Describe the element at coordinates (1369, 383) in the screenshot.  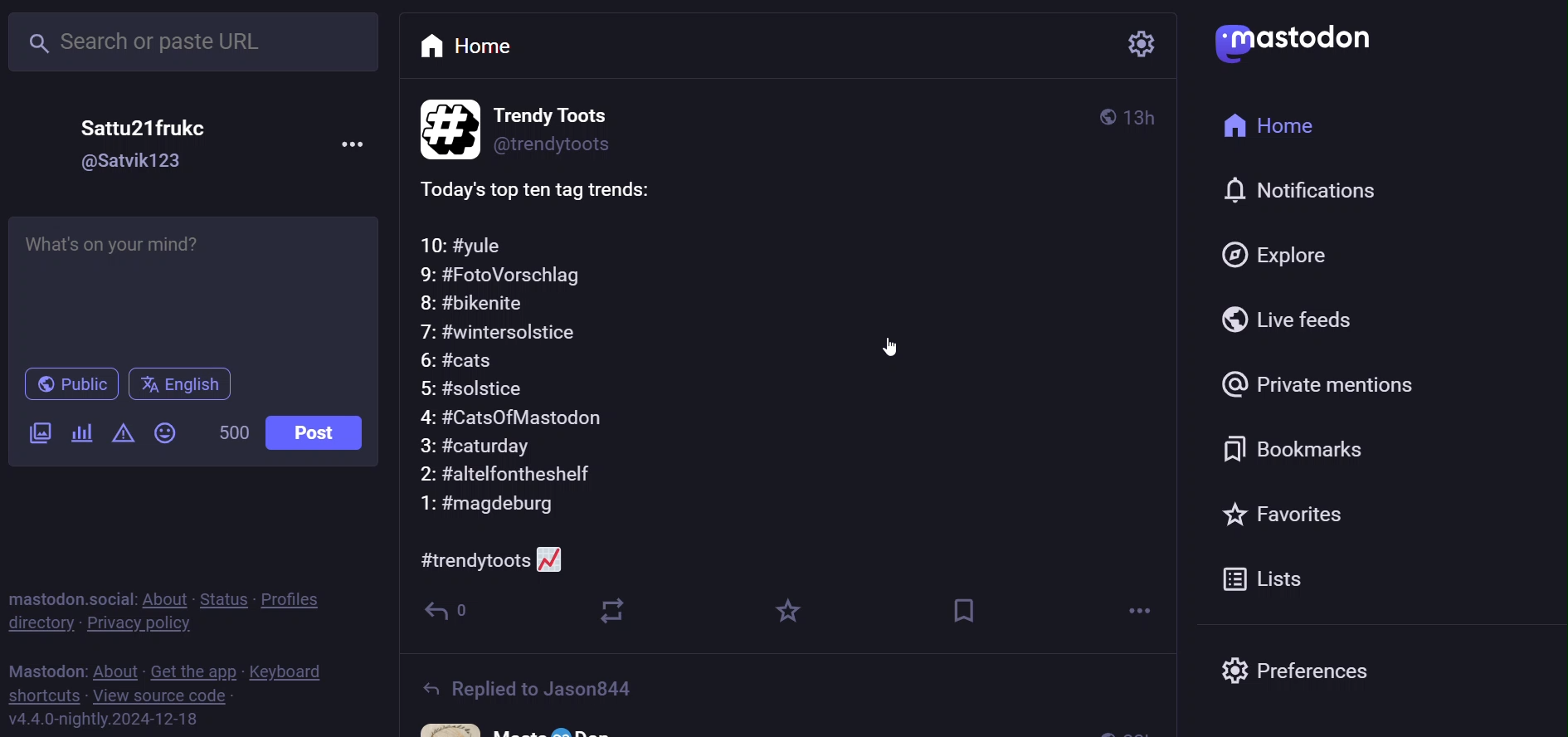
I see `private mentions` at that location.